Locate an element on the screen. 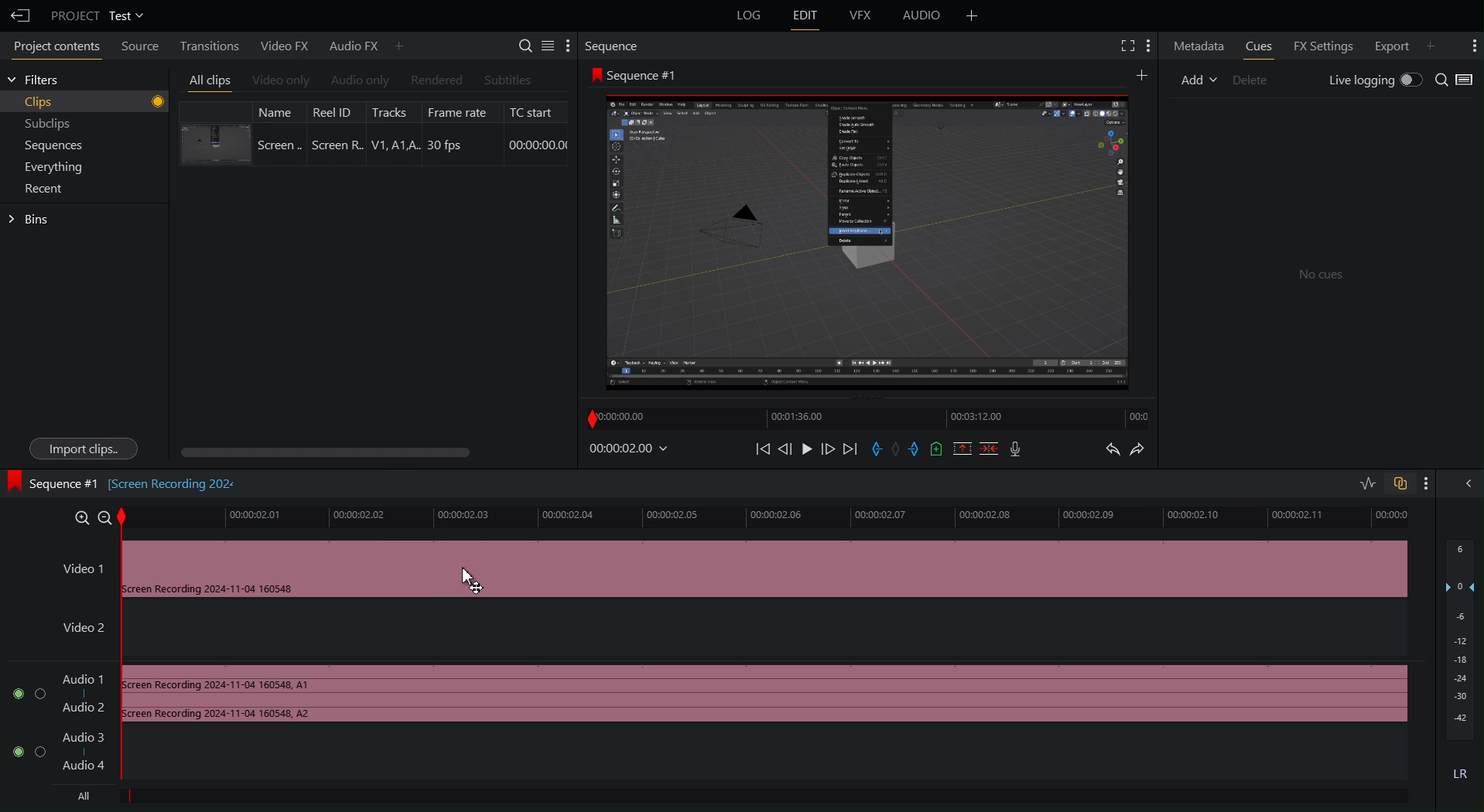 This screenshot has width=1484, height=812. Recent is located at coordinates (40, 188).